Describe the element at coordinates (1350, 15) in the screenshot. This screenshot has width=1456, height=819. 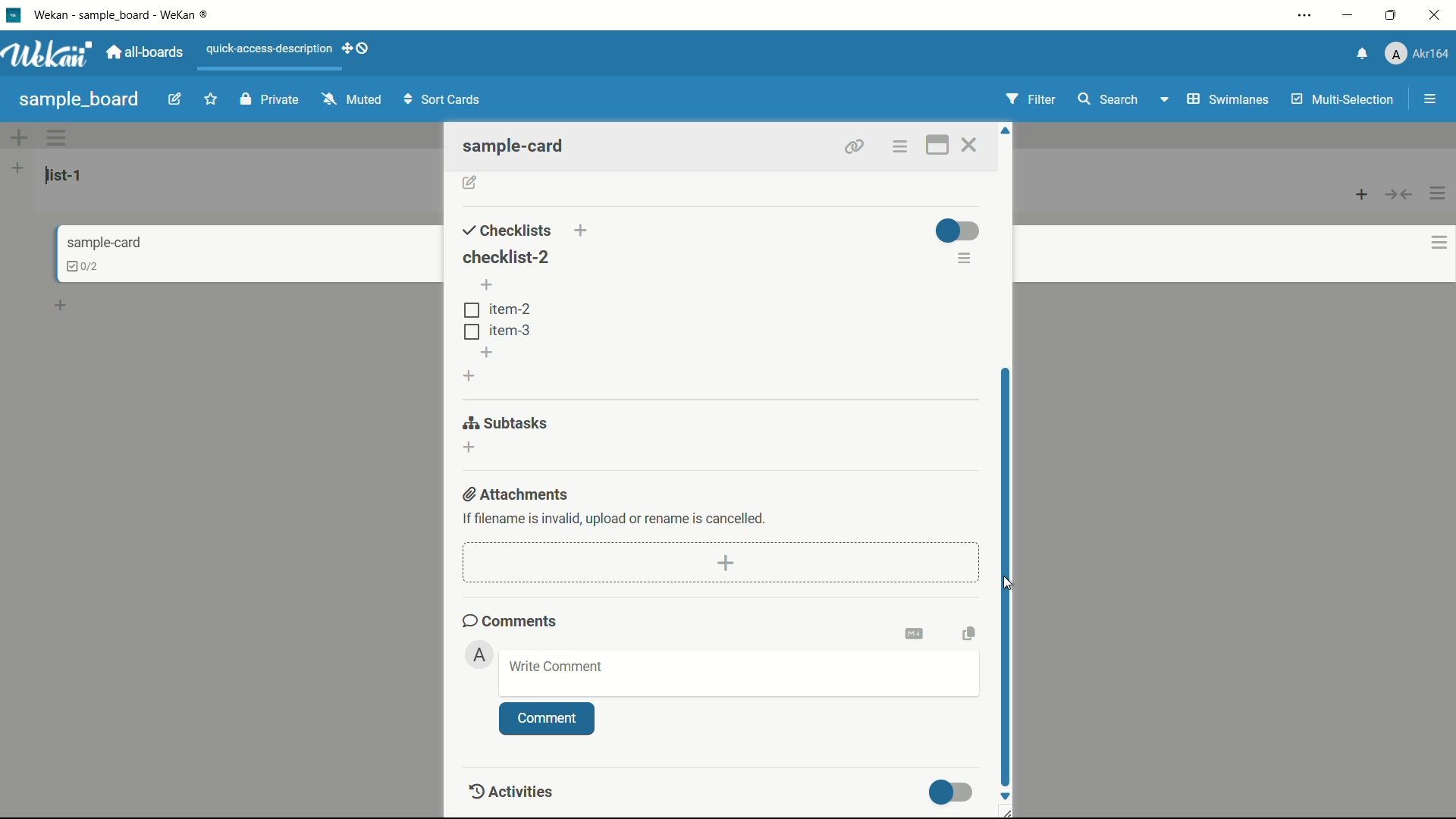
I see `minimize` at that location.